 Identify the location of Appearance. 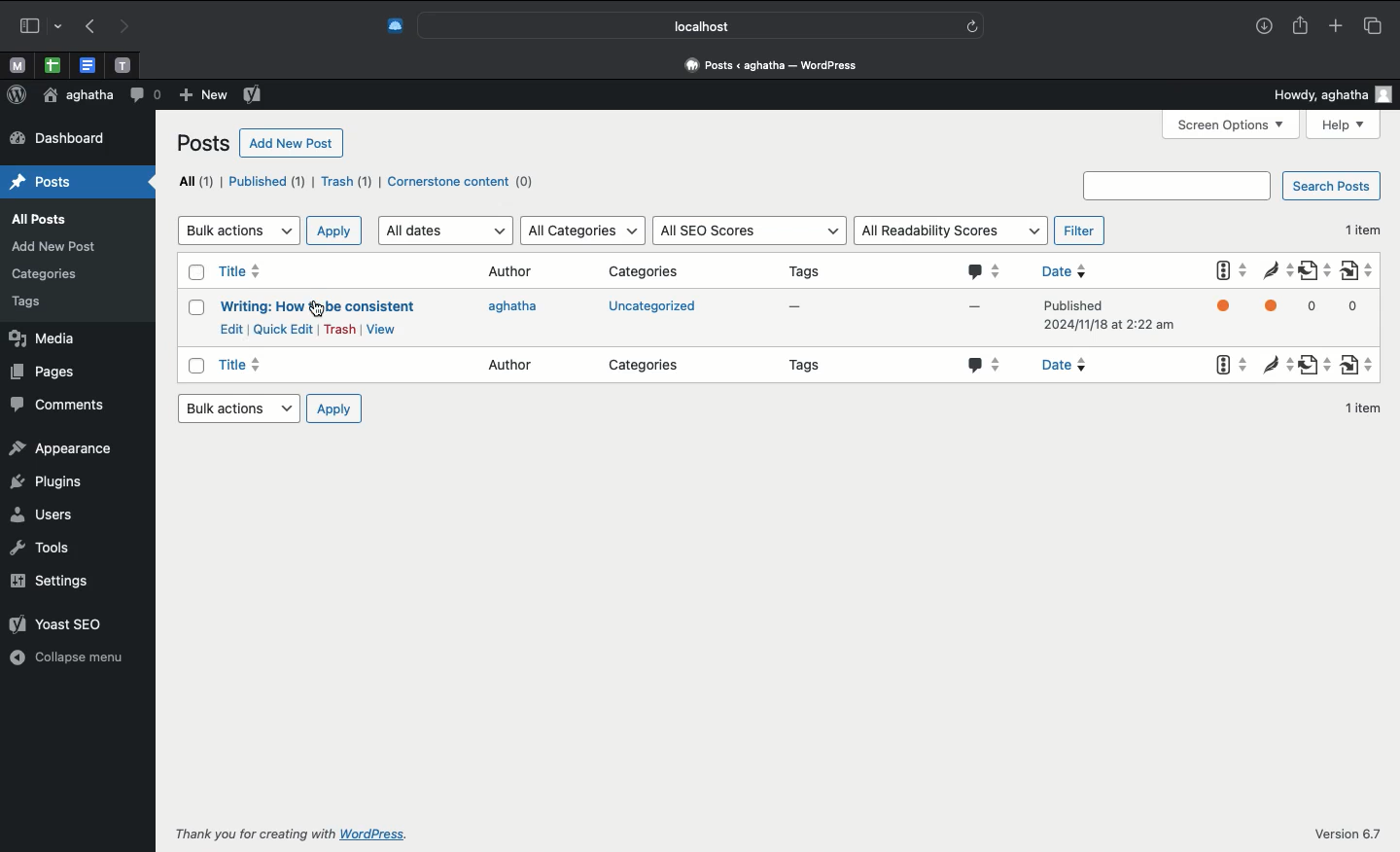
(64, 446).